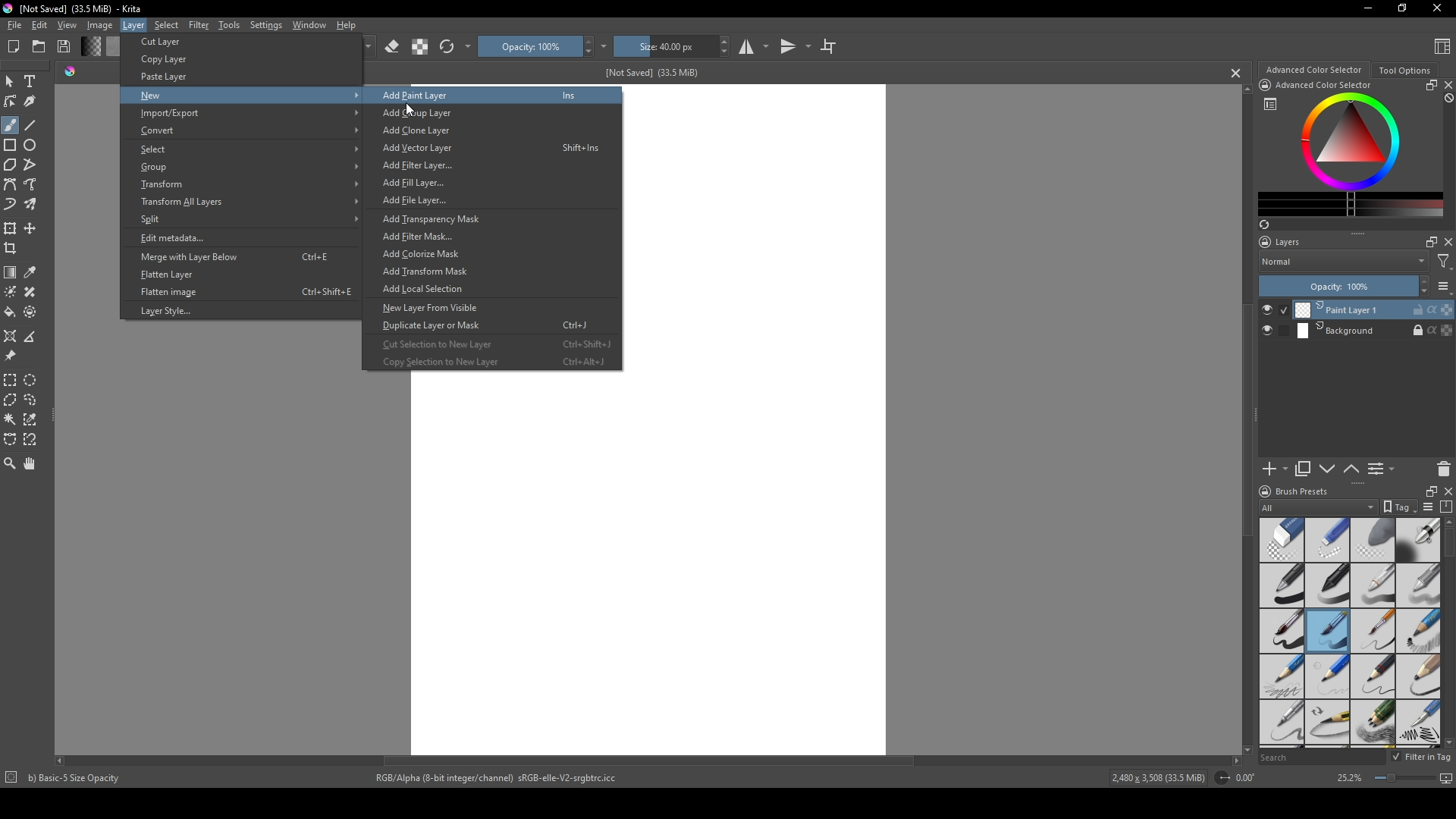 The image size is (1456, 819). What do you see at coordinates (246, 202) in the screenshot?
I see `Transform All Layers` at bounding box center [246, 202].